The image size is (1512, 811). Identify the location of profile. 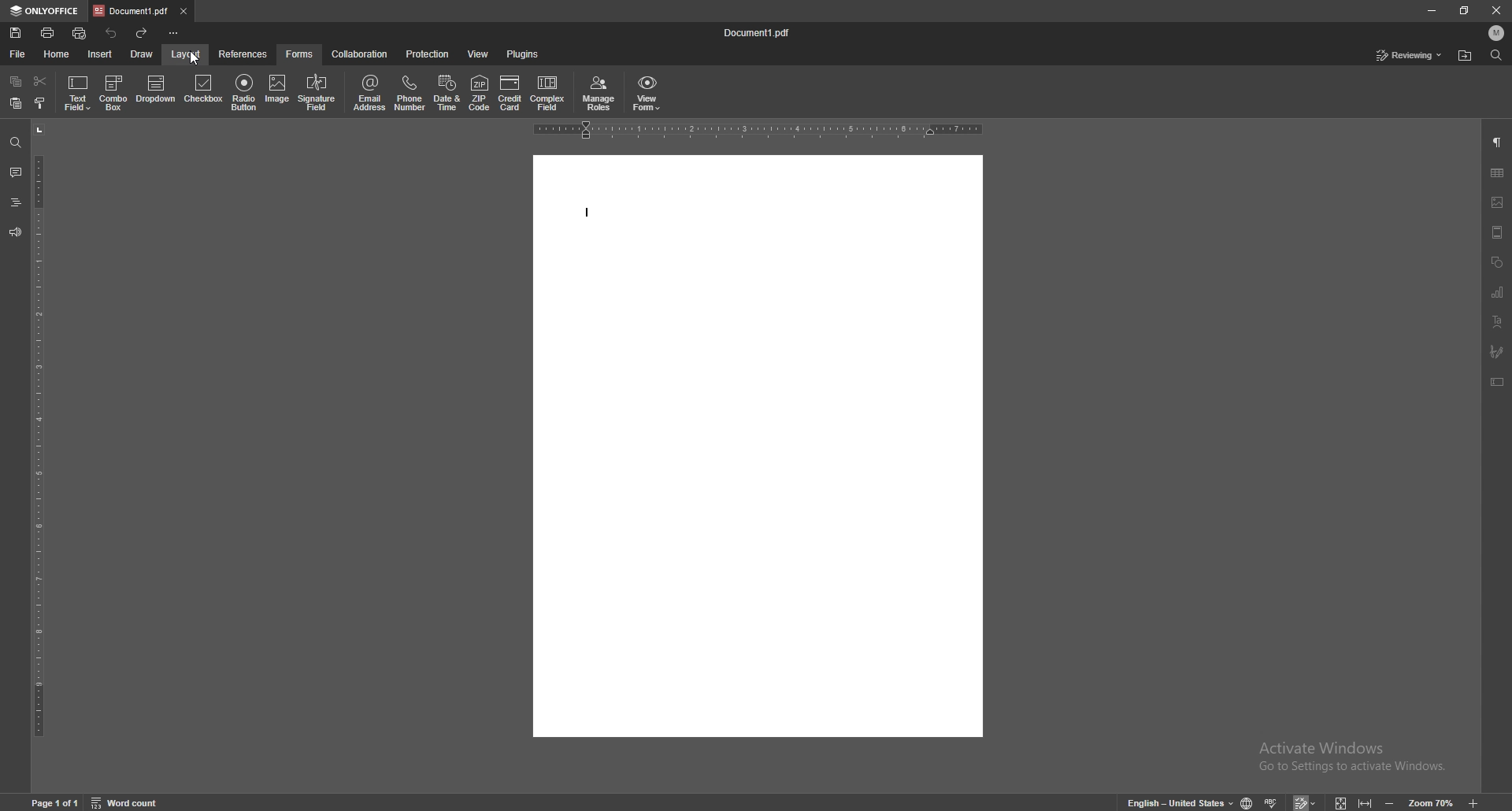
(1497, 32).